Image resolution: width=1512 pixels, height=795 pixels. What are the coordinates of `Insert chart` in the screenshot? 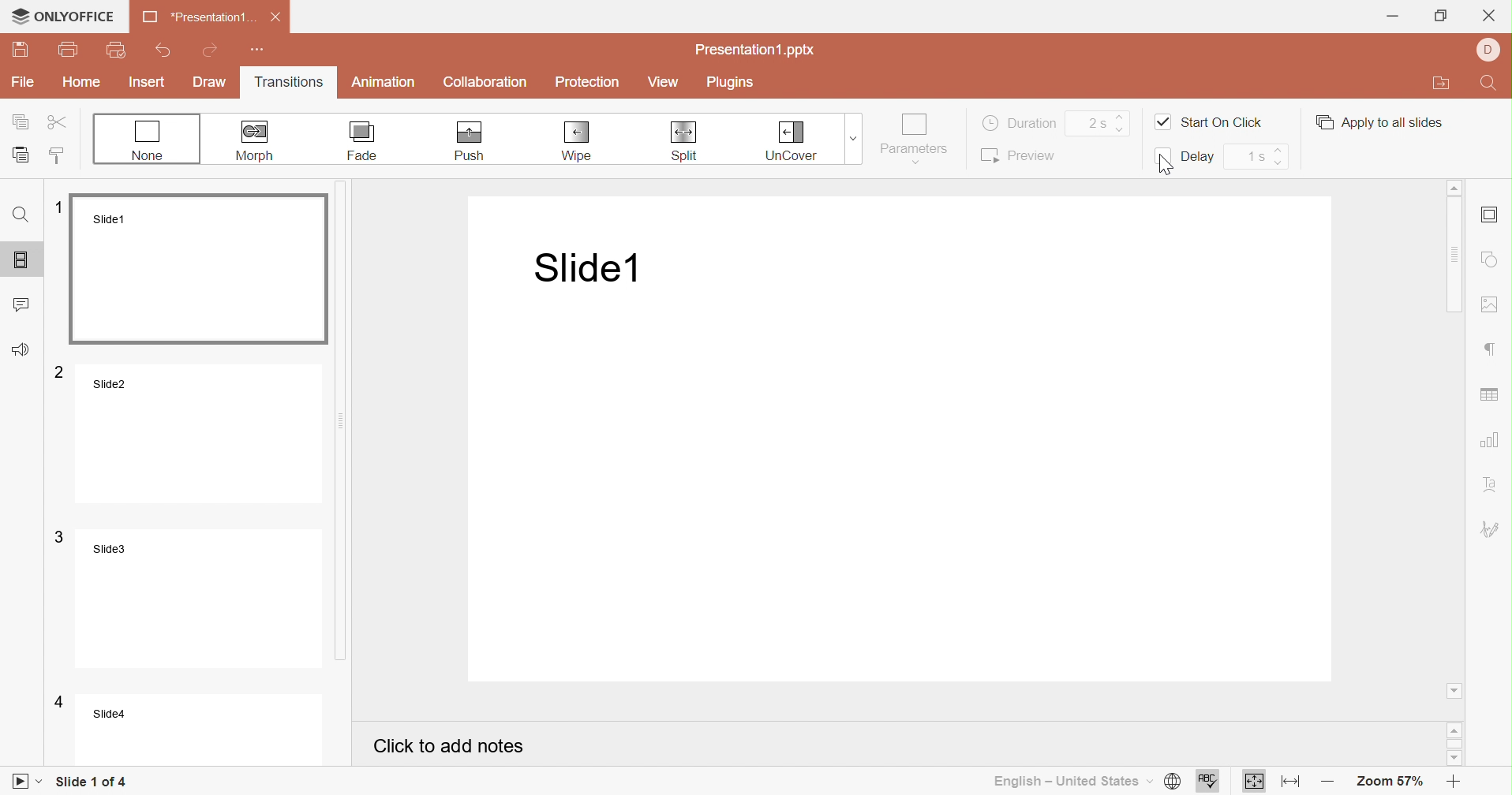 It's located at (1492, 391).